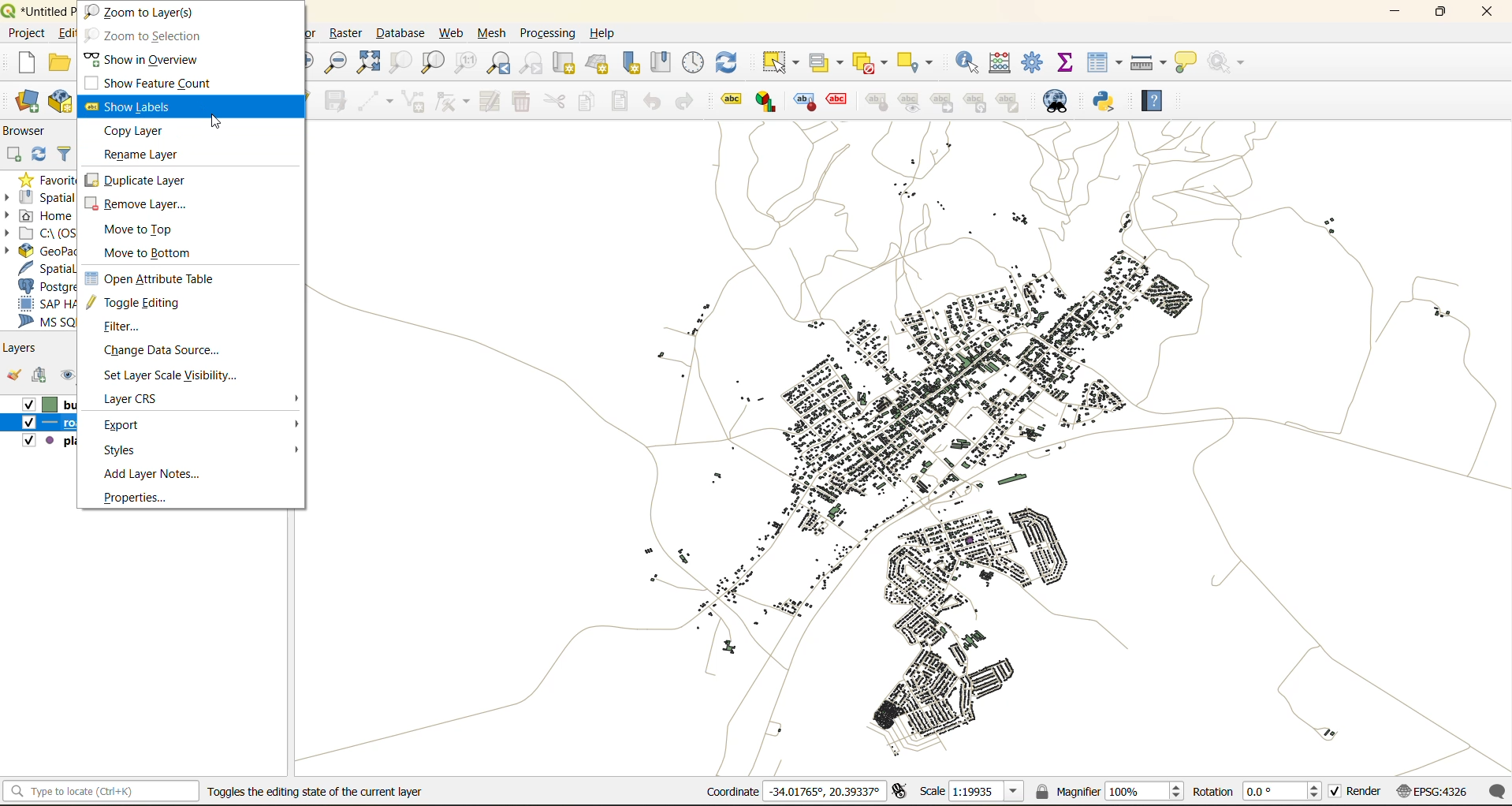 The image size is (1512, 806). Describe the element at coordinates (140, 304) in the screenshot. I see `toggle editing` at that location.